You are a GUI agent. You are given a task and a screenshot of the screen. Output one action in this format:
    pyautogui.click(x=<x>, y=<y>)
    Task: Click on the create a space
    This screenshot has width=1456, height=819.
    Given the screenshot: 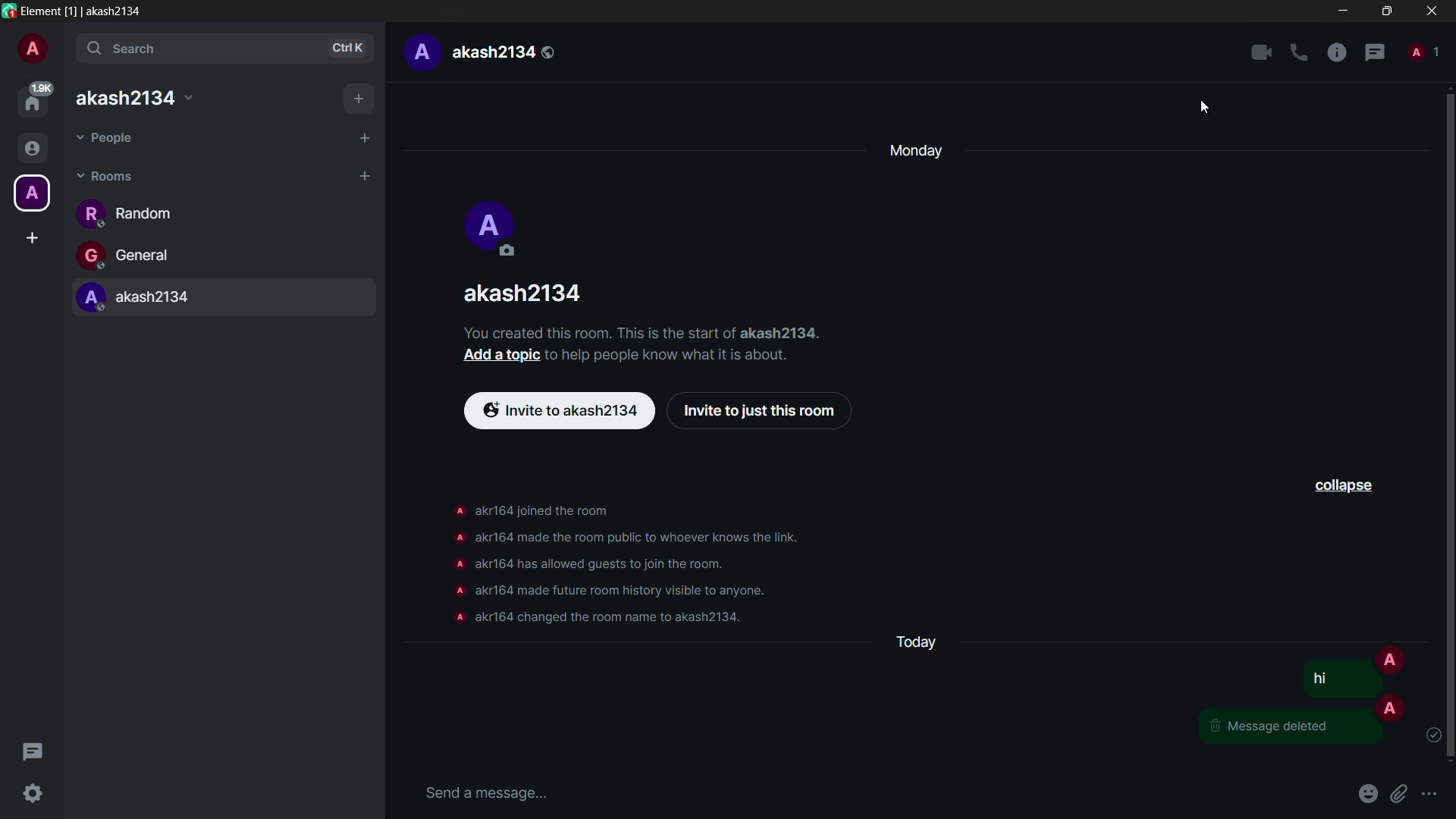 What is the action you would take?
    pyautogui.click(x=33, y=238)
    